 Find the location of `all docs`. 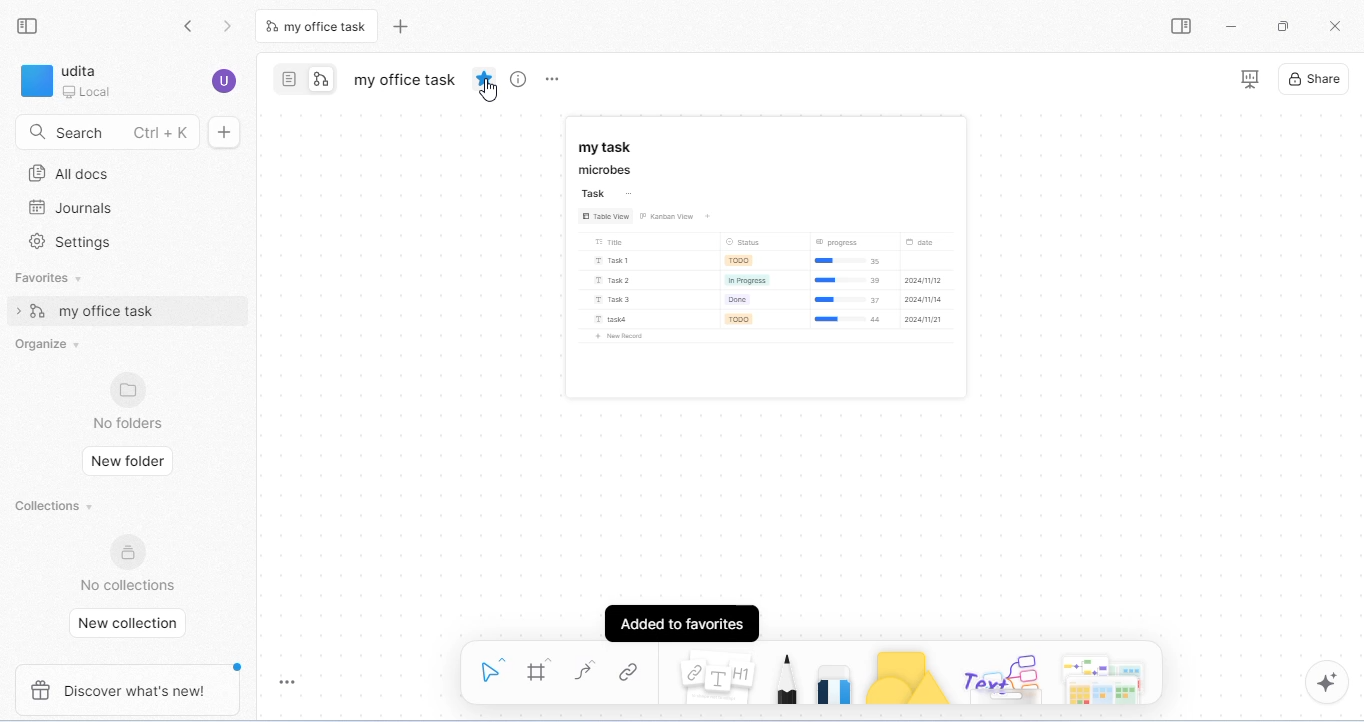

all docs is located at coordinates (69, 173).